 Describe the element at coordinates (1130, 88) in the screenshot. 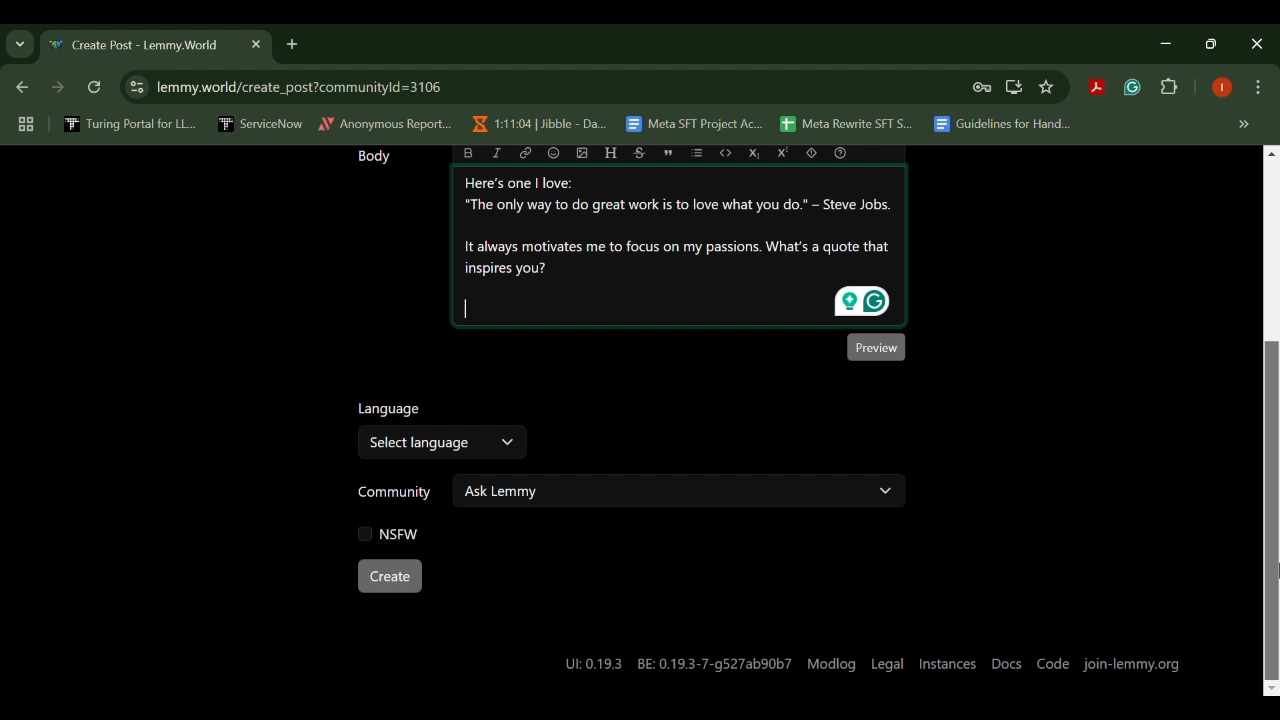

I see `Grammarly Extension` at that location.